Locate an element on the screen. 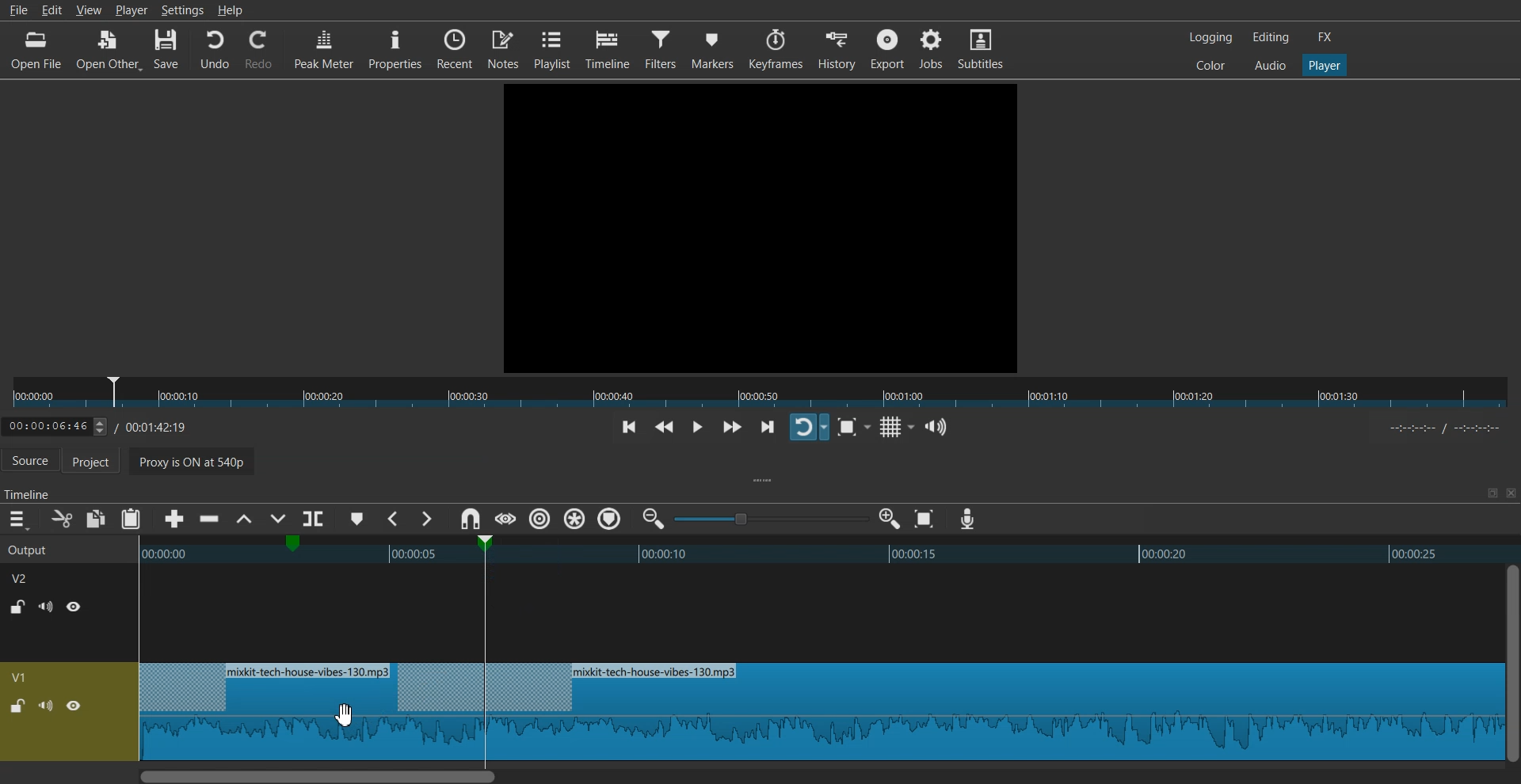  View is located at coordinates (89, 12).